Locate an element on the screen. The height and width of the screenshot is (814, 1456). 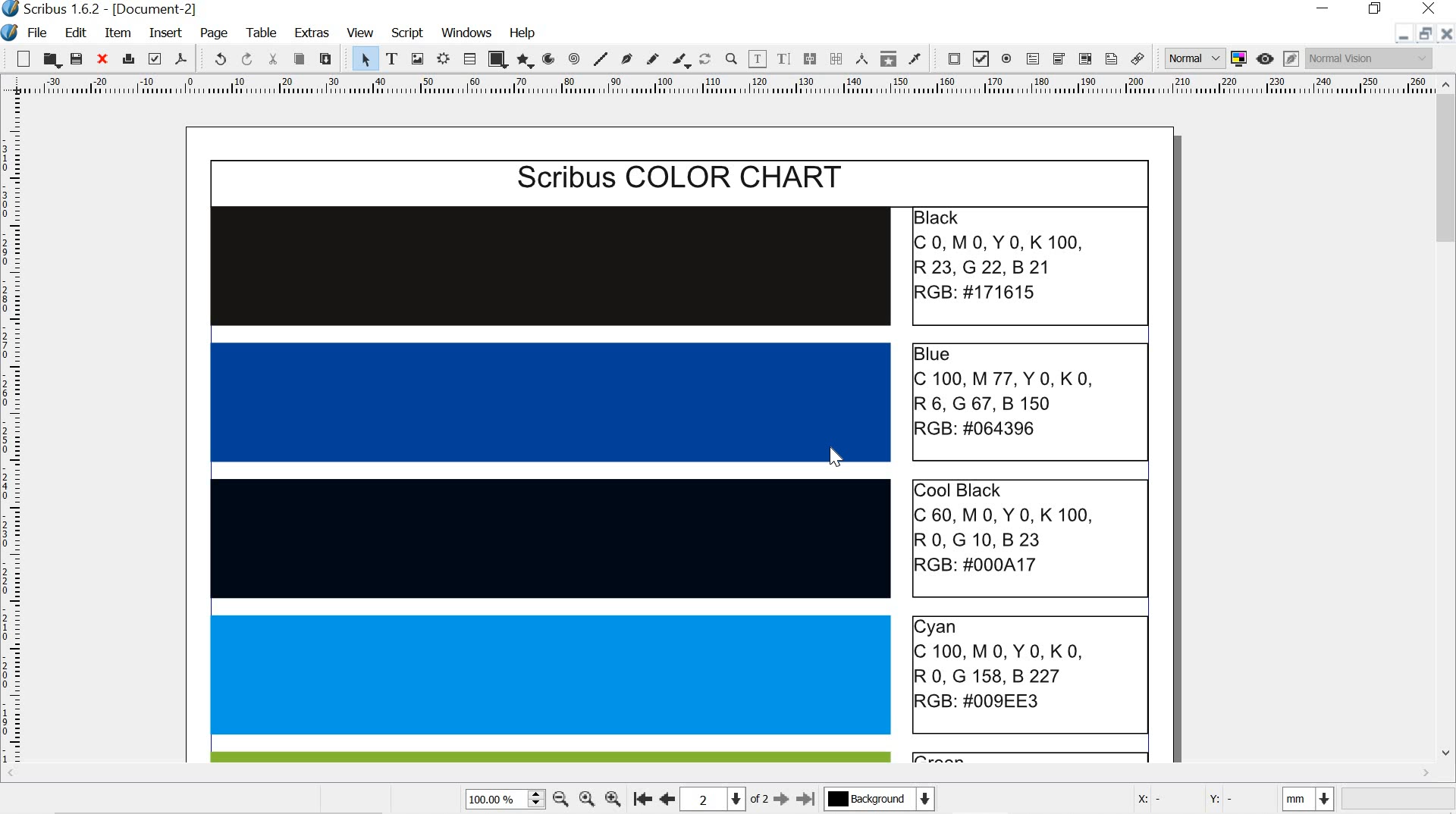
preflight verifier is located at coordinates (155, 58).